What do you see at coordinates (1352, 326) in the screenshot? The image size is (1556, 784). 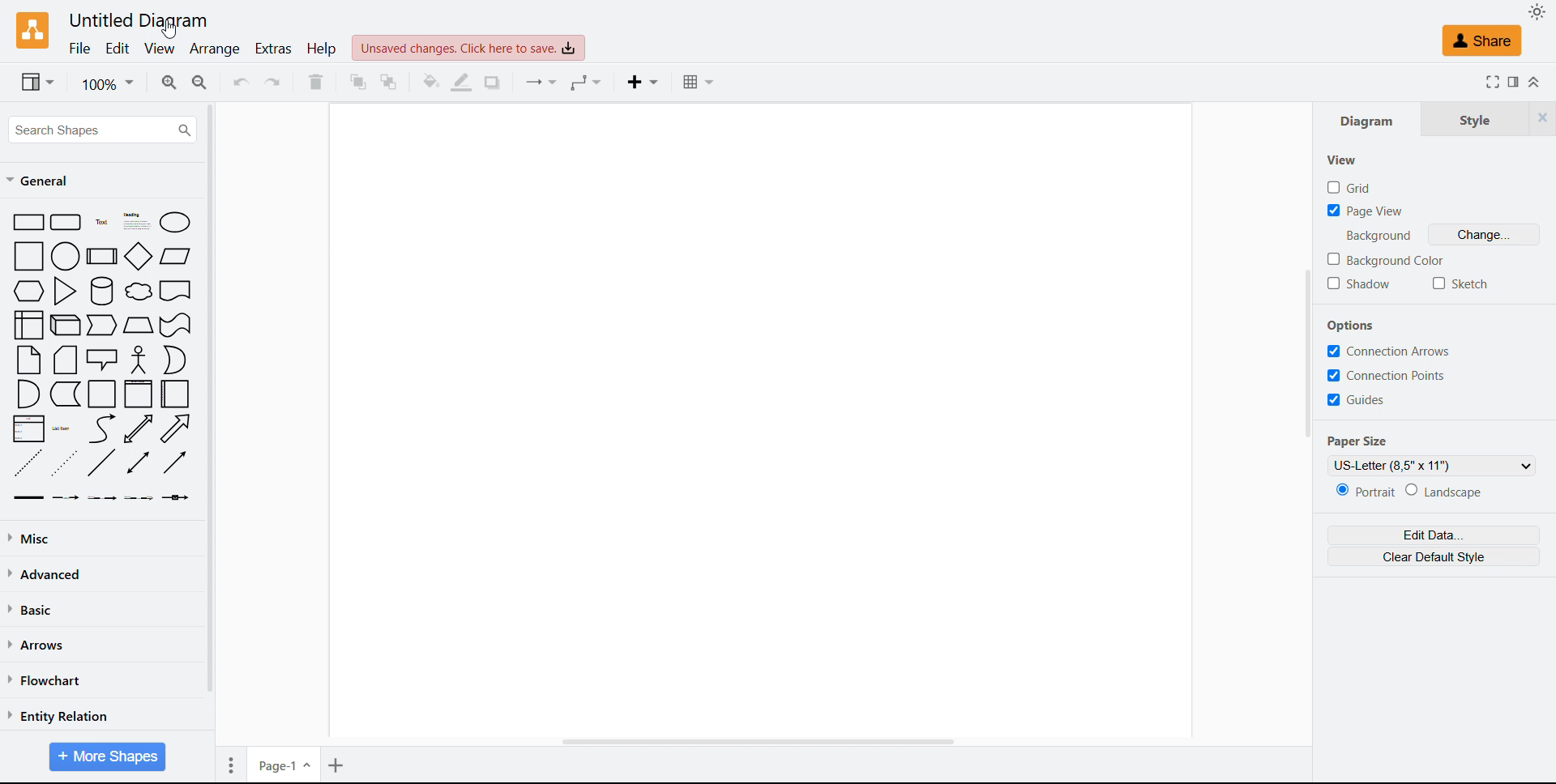 I see `Options ` at bounding box center [1352, 326].